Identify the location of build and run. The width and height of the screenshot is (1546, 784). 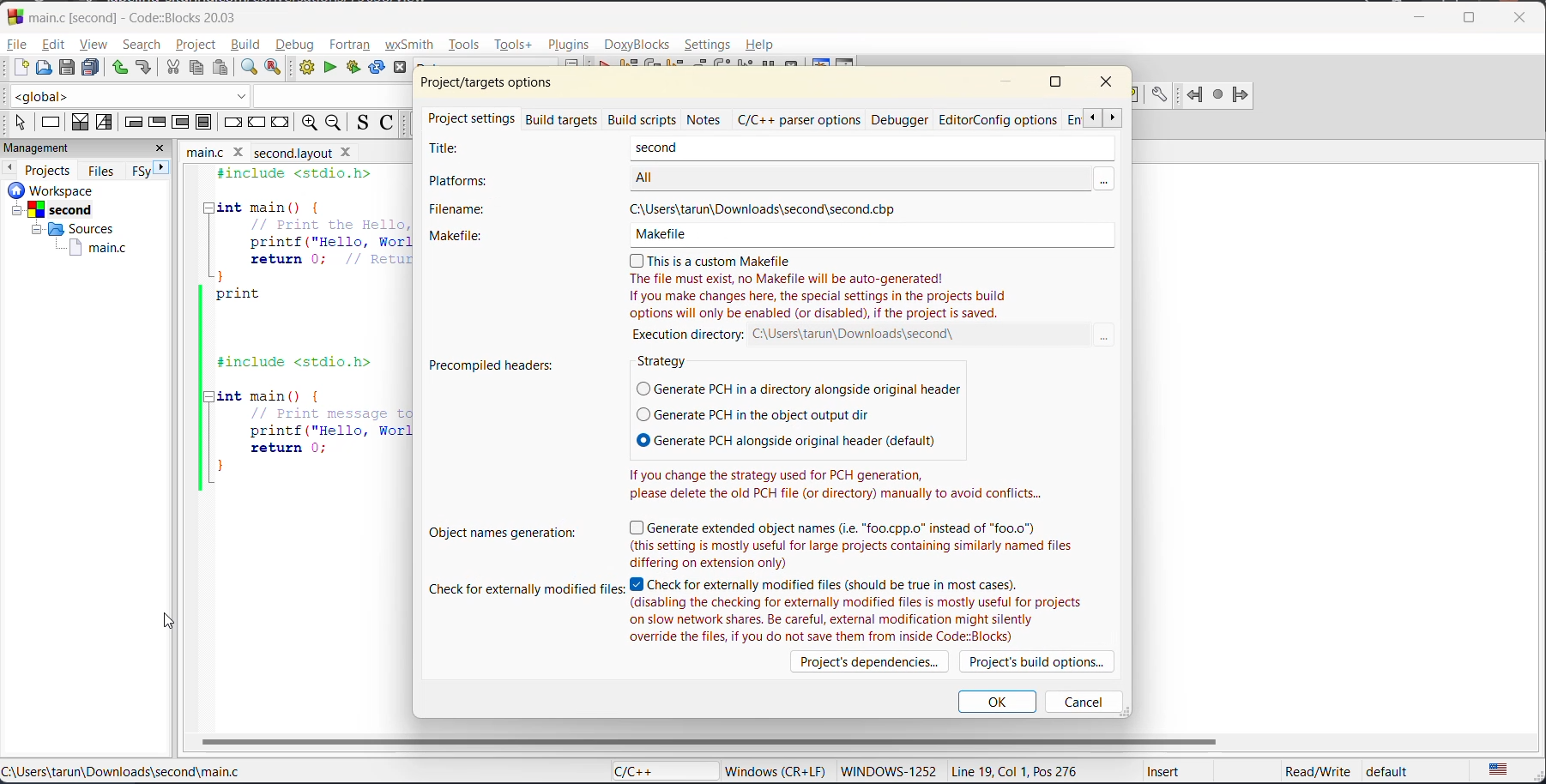
(353, 66).